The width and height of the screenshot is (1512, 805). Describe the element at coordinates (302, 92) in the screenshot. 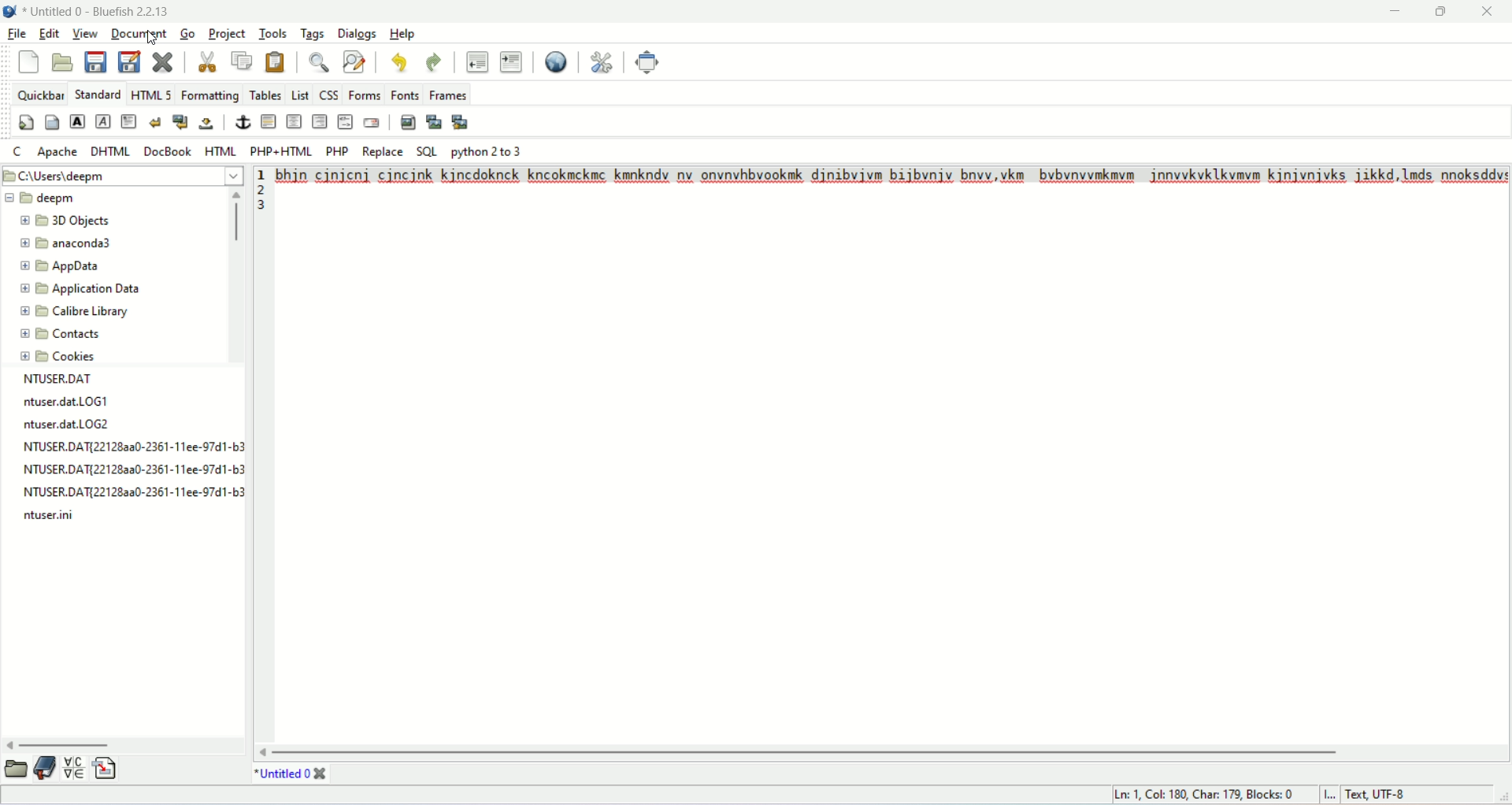

I see `list` at that location.